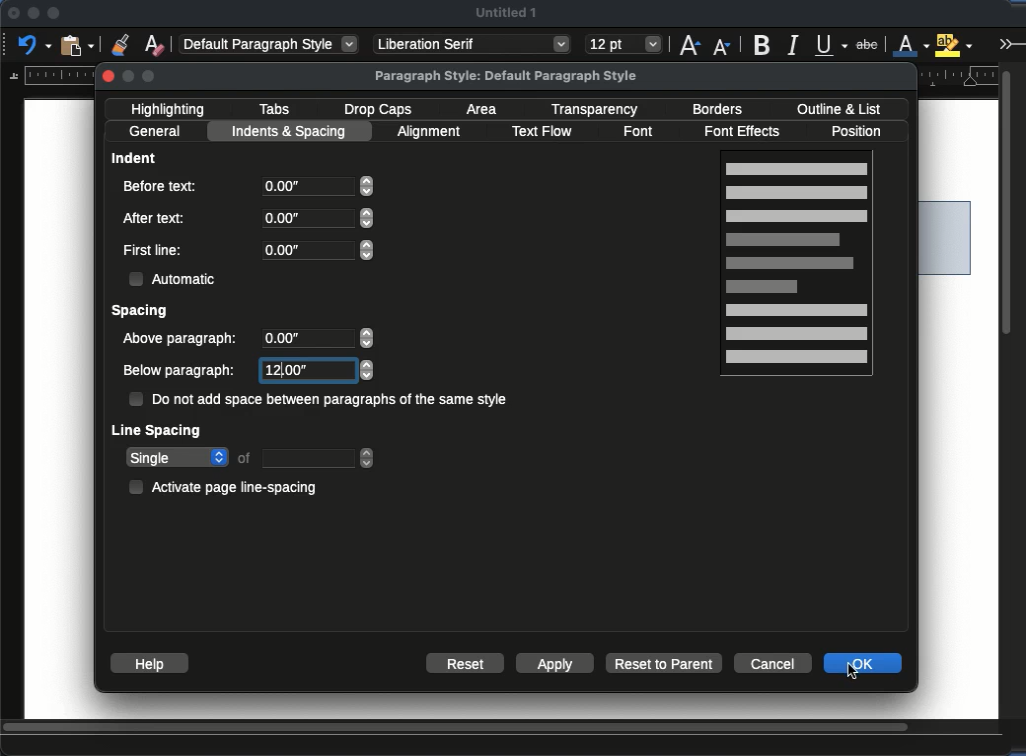 This screenshot has height=756, width=1026. I want to click on bold, so click(764, 44).